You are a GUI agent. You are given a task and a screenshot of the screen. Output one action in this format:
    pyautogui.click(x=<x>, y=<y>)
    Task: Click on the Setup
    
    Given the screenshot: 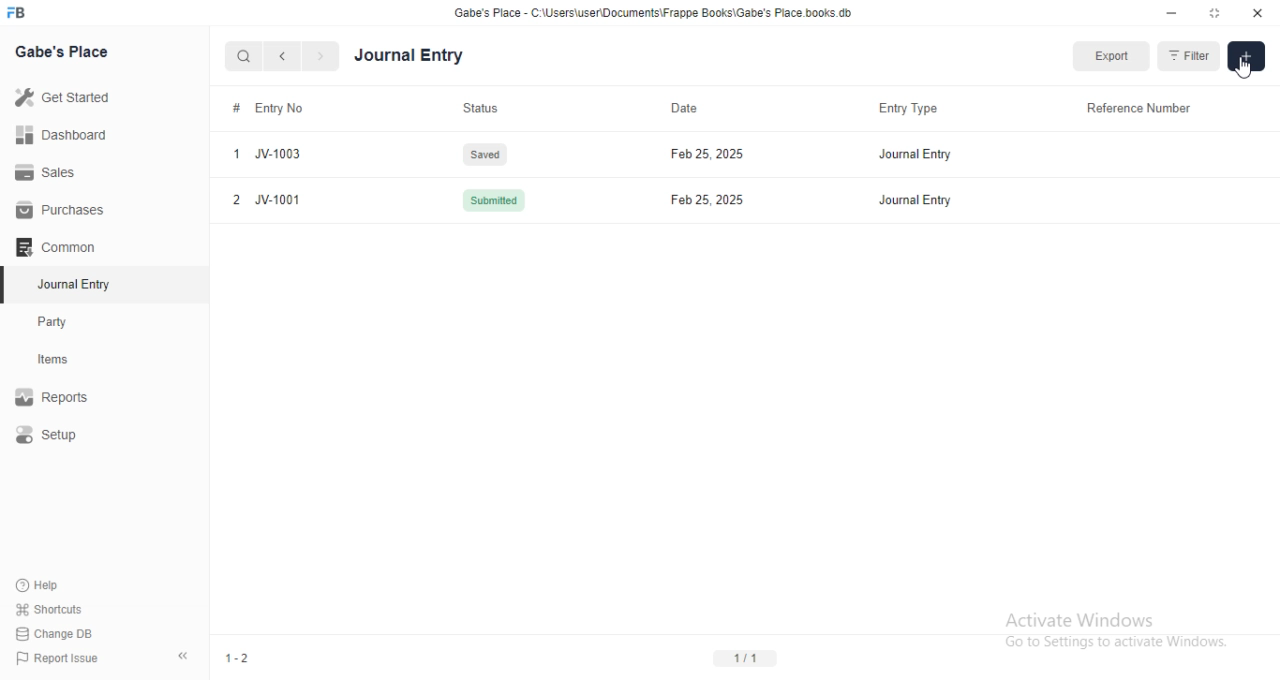 What is the action you would take?
    pyautogui.click(x=49, y=434)
    